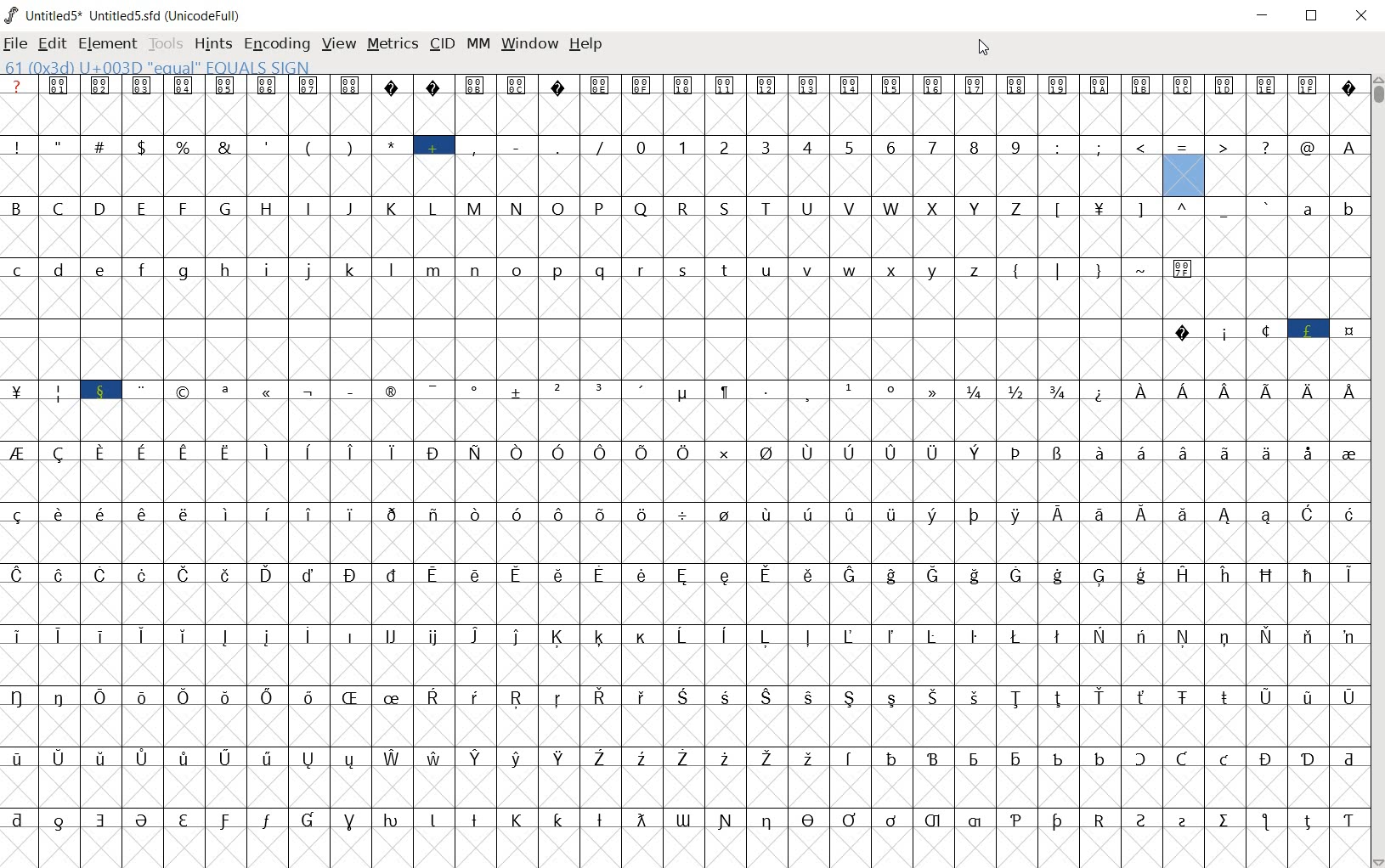 The height and width of the screenshot is (868, 1385). I want to click on UNTITLED5* UNTITLED5.SFD (UNICODEFULL), so click(127, 14).